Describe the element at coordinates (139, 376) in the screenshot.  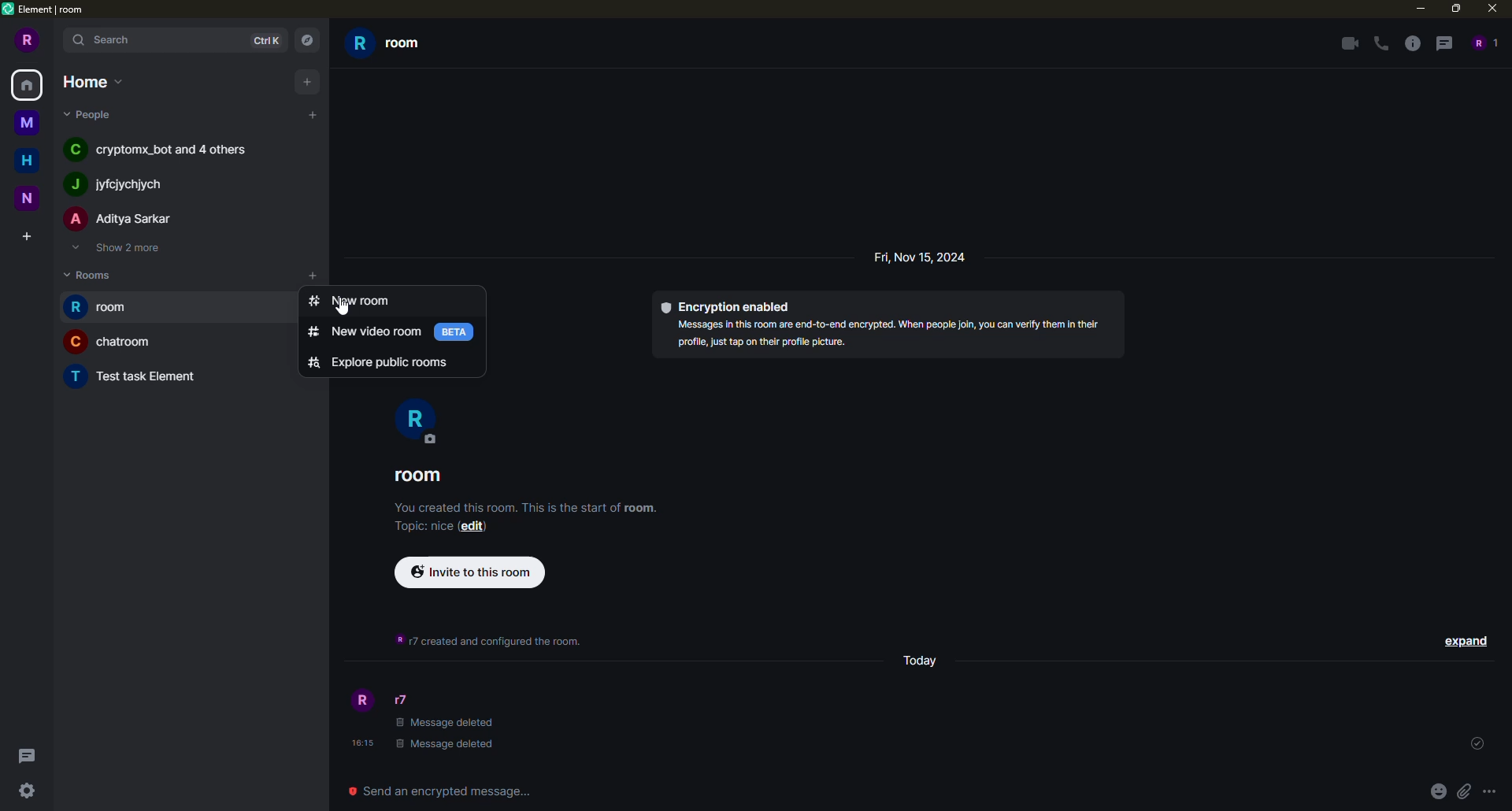
I see `room` at that location.